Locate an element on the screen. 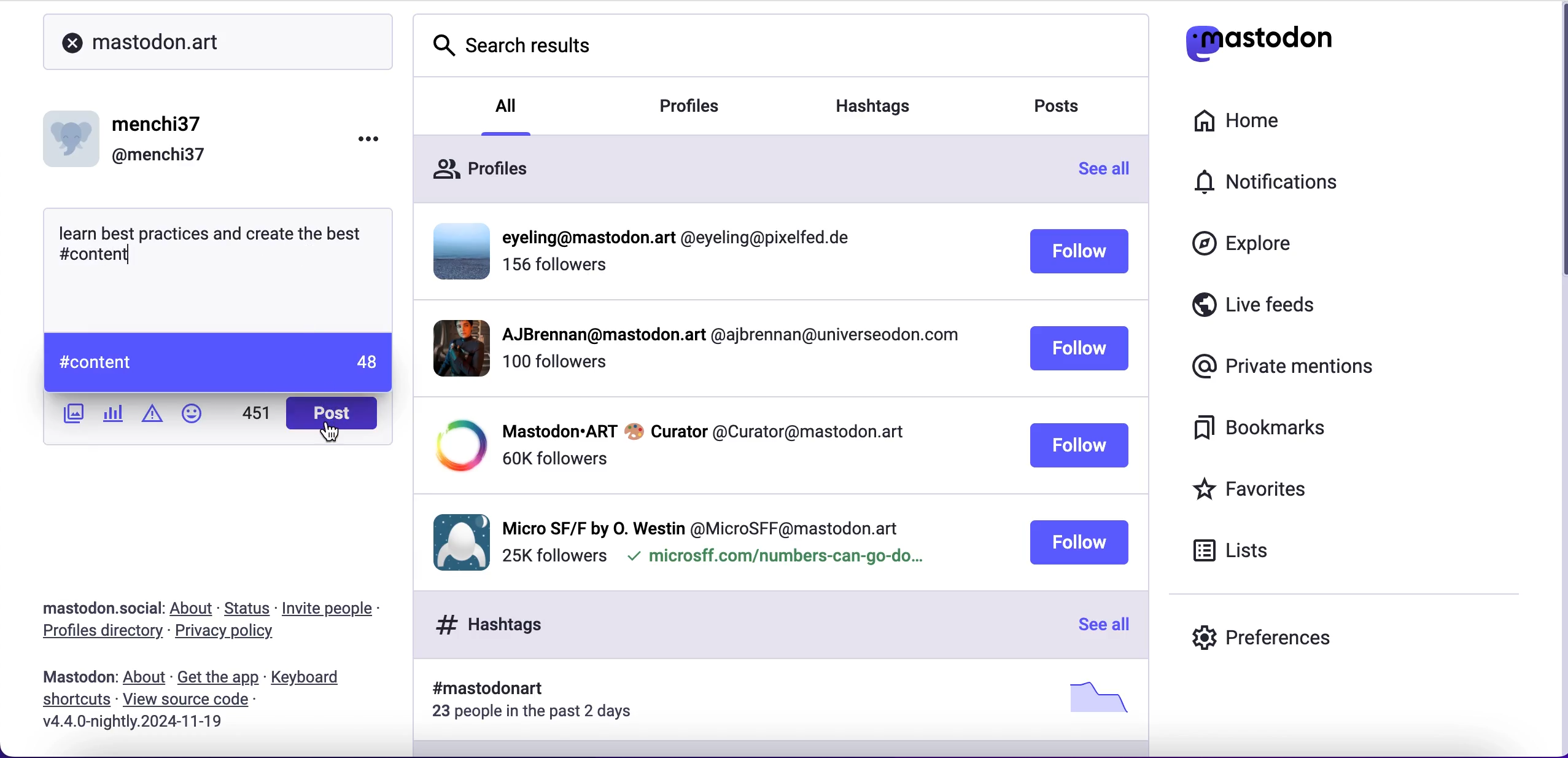  #content is located at coordinates (94, 355).